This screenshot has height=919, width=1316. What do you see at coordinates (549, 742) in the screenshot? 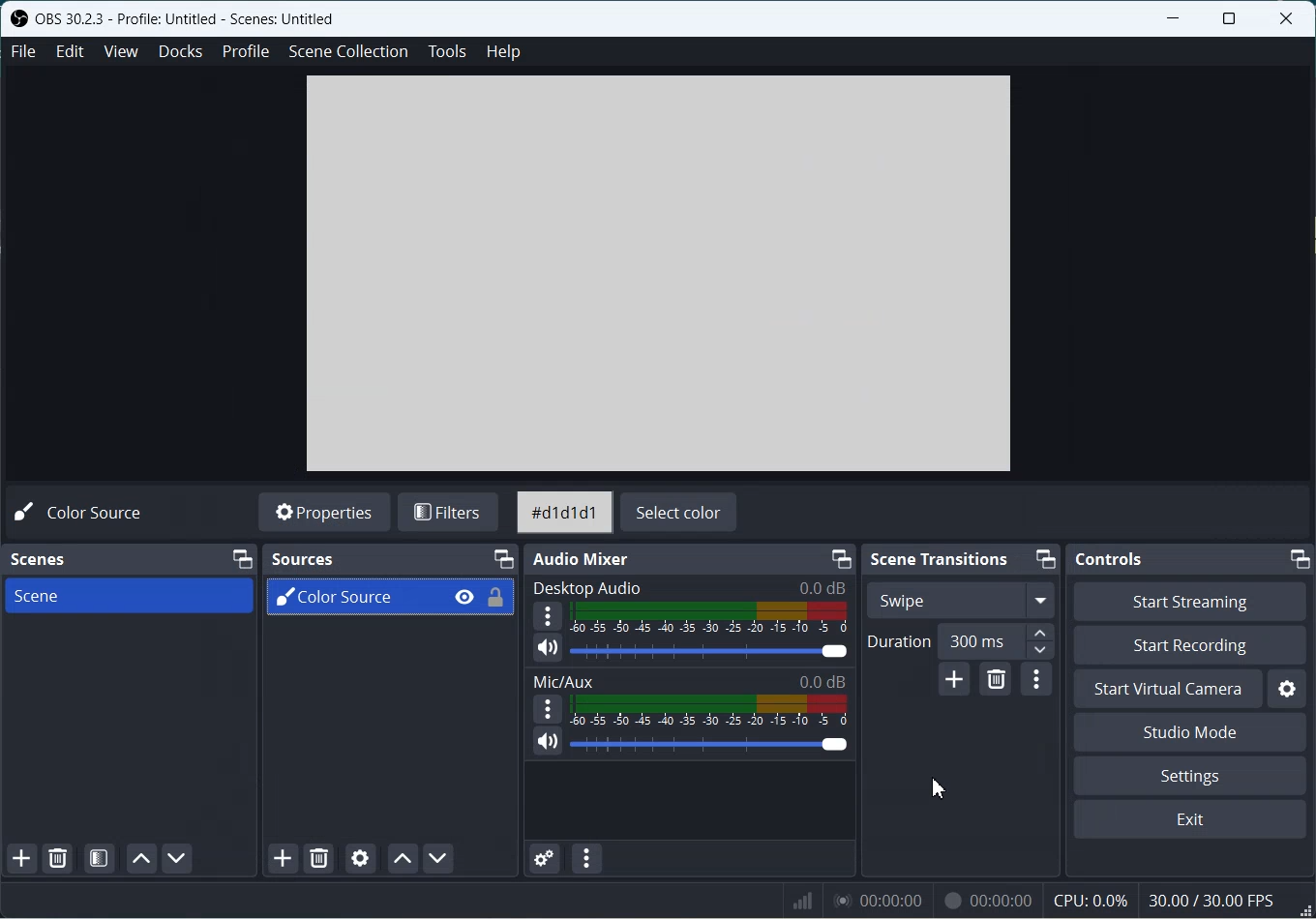
I see `Mute / Unmute` at bounding box center [549, 742].